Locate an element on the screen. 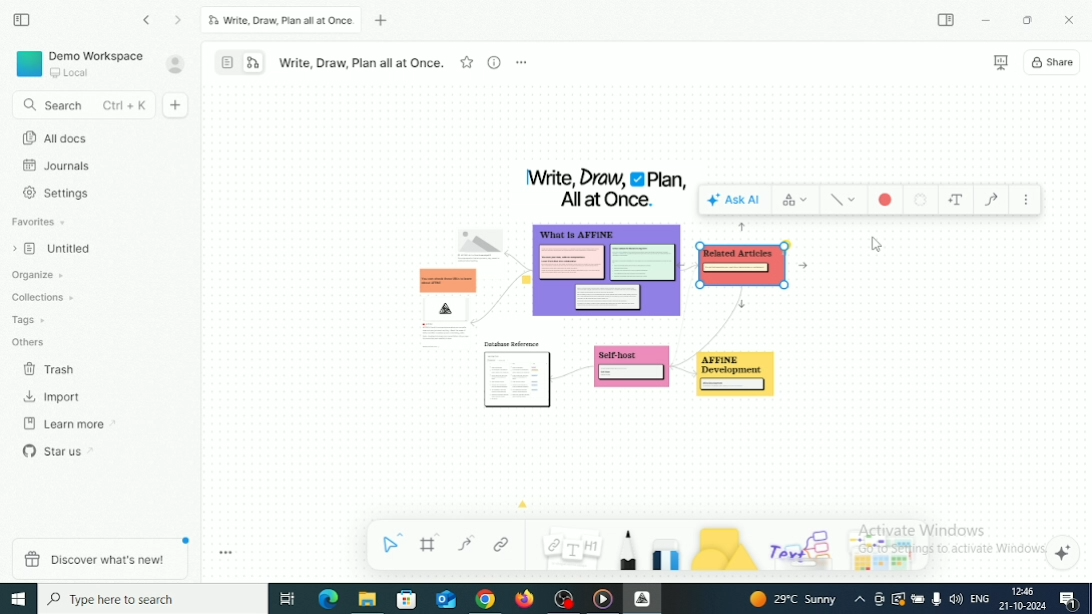 The width and height of the screenshot is (1092, 614). Temperature is located at coordinates (795, 599).